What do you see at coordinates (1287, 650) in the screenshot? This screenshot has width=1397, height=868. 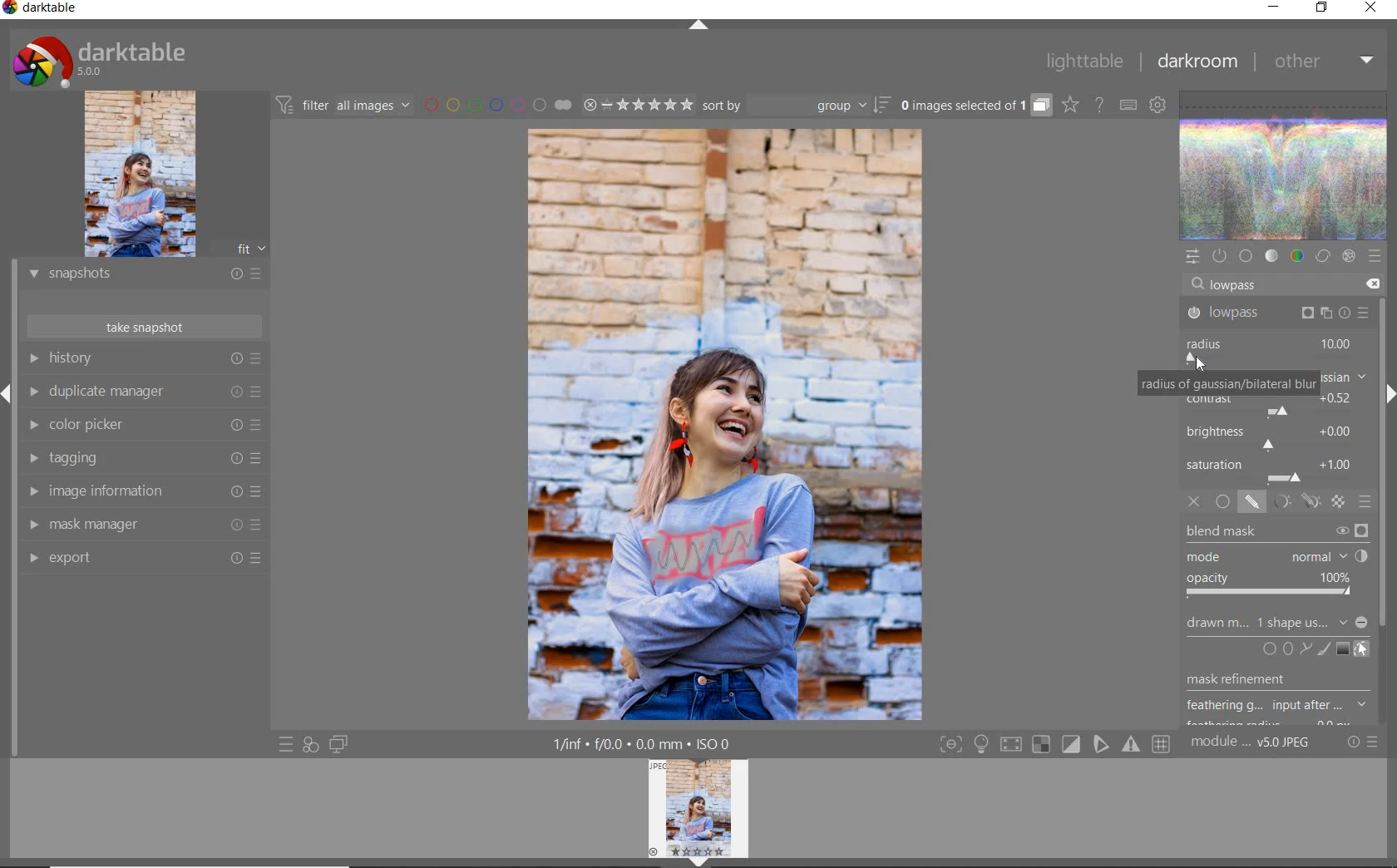 I see `add circle, ellipse, or path` at bounding box center [1287, 650].